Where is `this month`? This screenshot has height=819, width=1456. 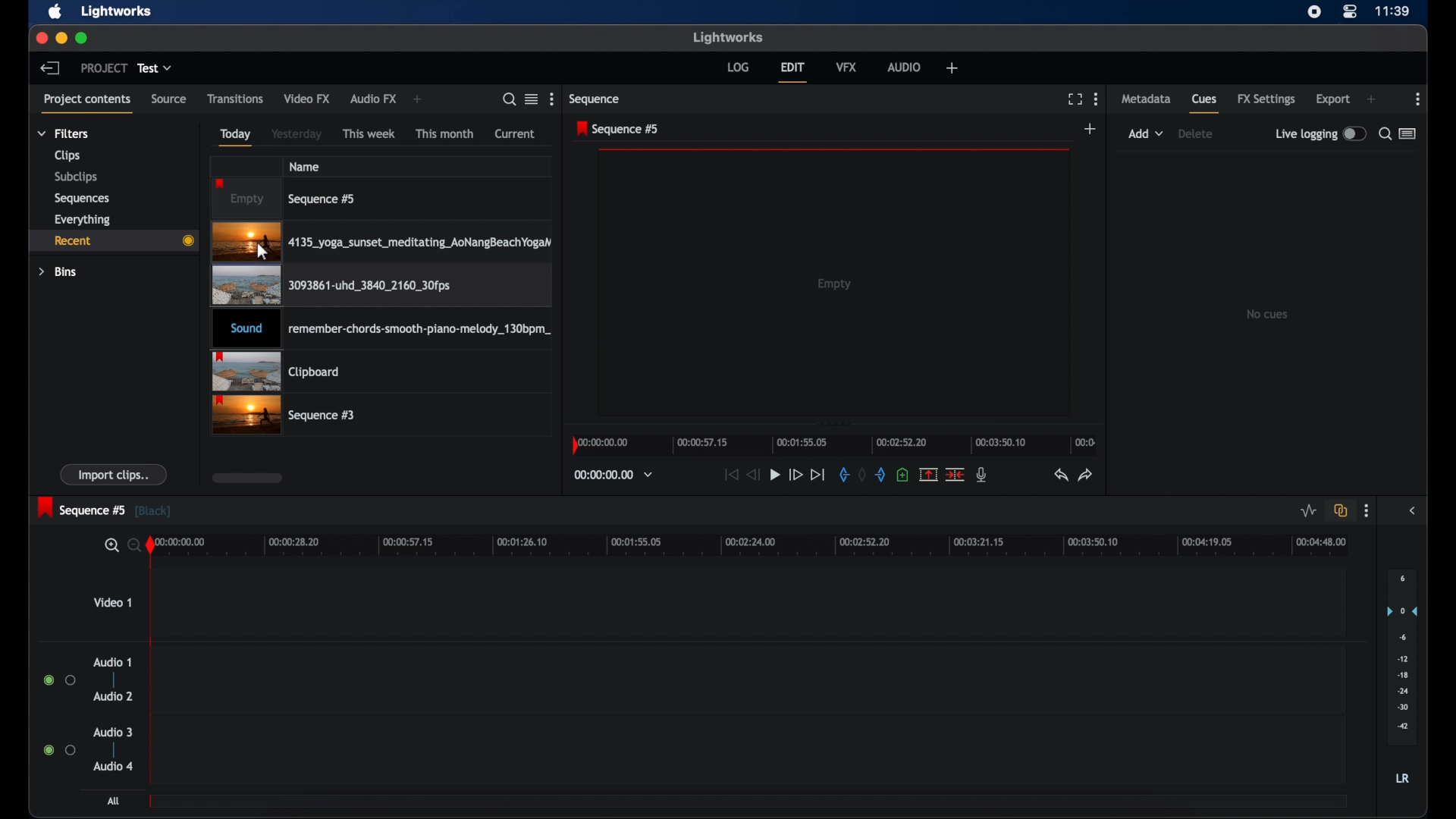 this month is located at coordinates (444, 133).